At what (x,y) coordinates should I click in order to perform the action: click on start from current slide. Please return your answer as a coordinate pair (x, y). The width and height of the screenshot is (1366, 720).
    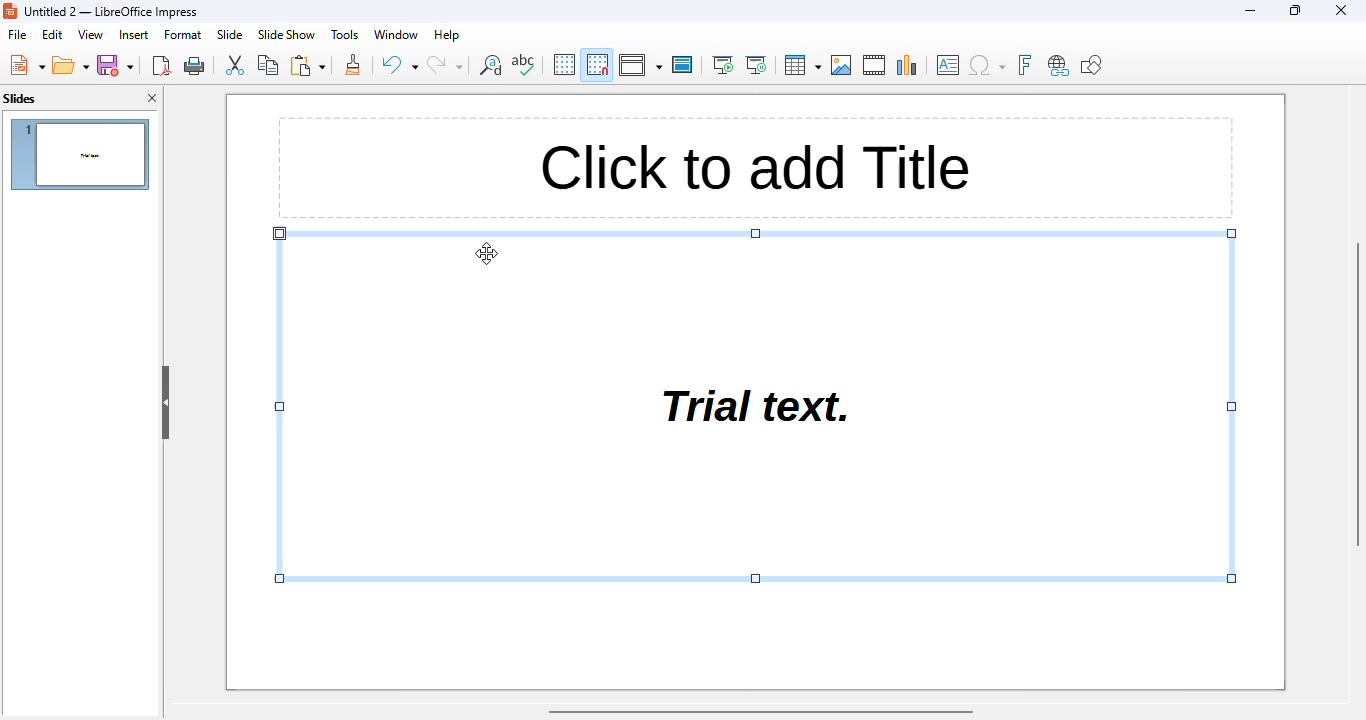
    Looking at the image, I should click on (757, 65).